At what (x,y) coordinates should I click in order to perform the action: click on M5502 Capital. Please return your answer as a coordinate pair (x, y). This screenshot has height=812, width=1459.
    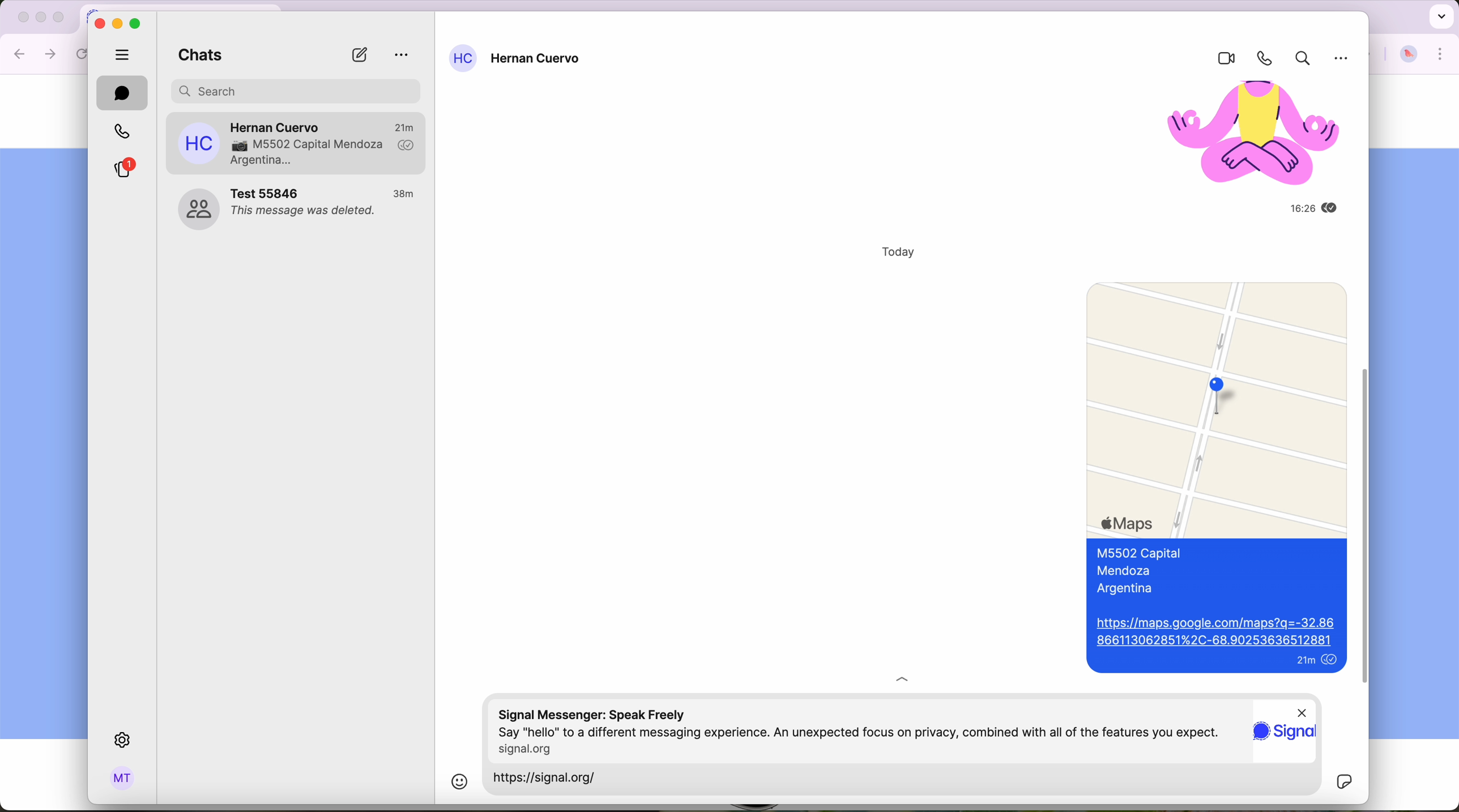
    Looking at the image, I should click on (1139, 554).